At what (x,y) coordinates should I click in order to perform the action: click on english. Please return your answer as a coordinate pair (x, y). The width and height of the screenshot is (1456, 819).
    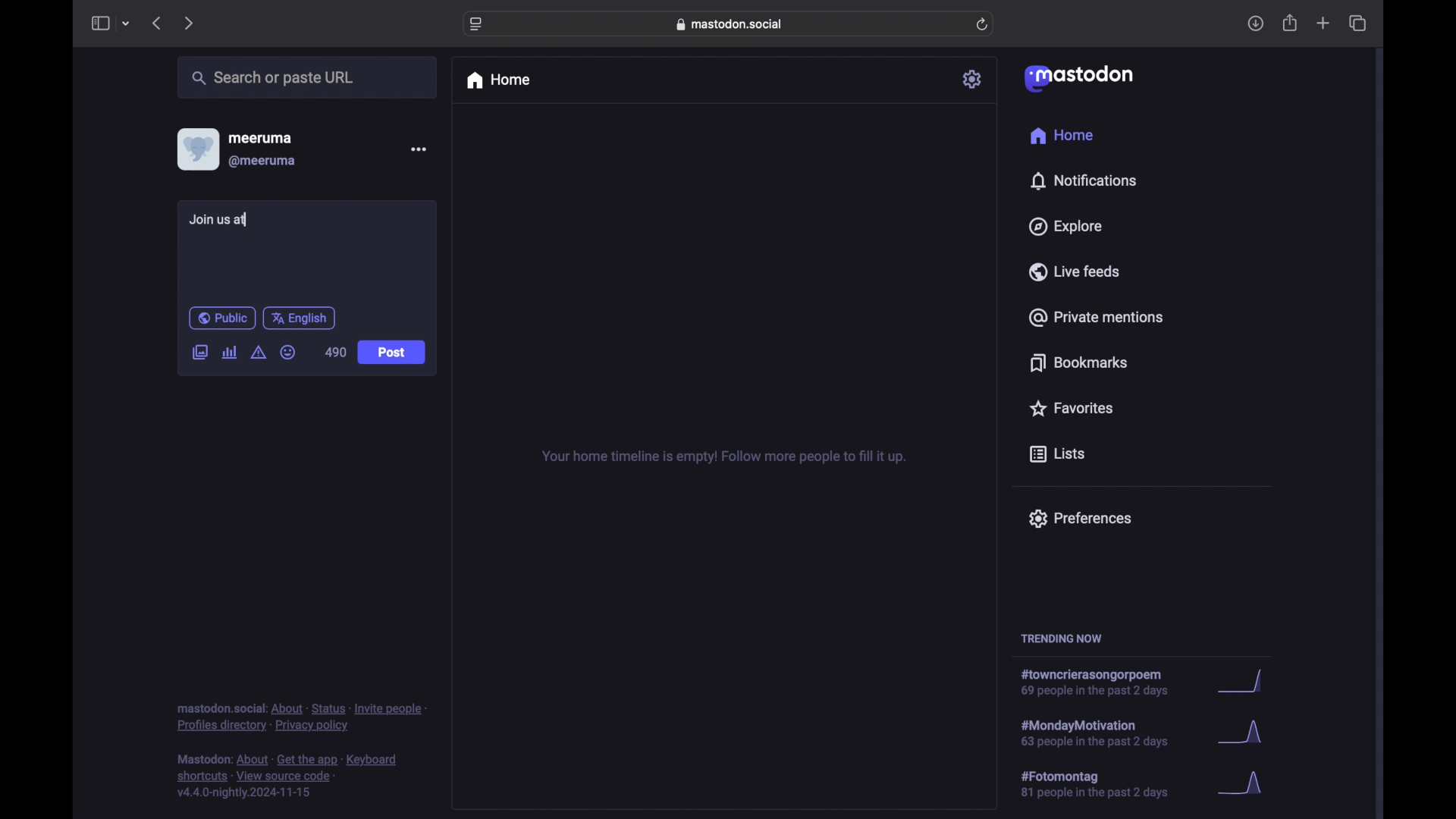
    Looking at the image, I should click on (300, 318).